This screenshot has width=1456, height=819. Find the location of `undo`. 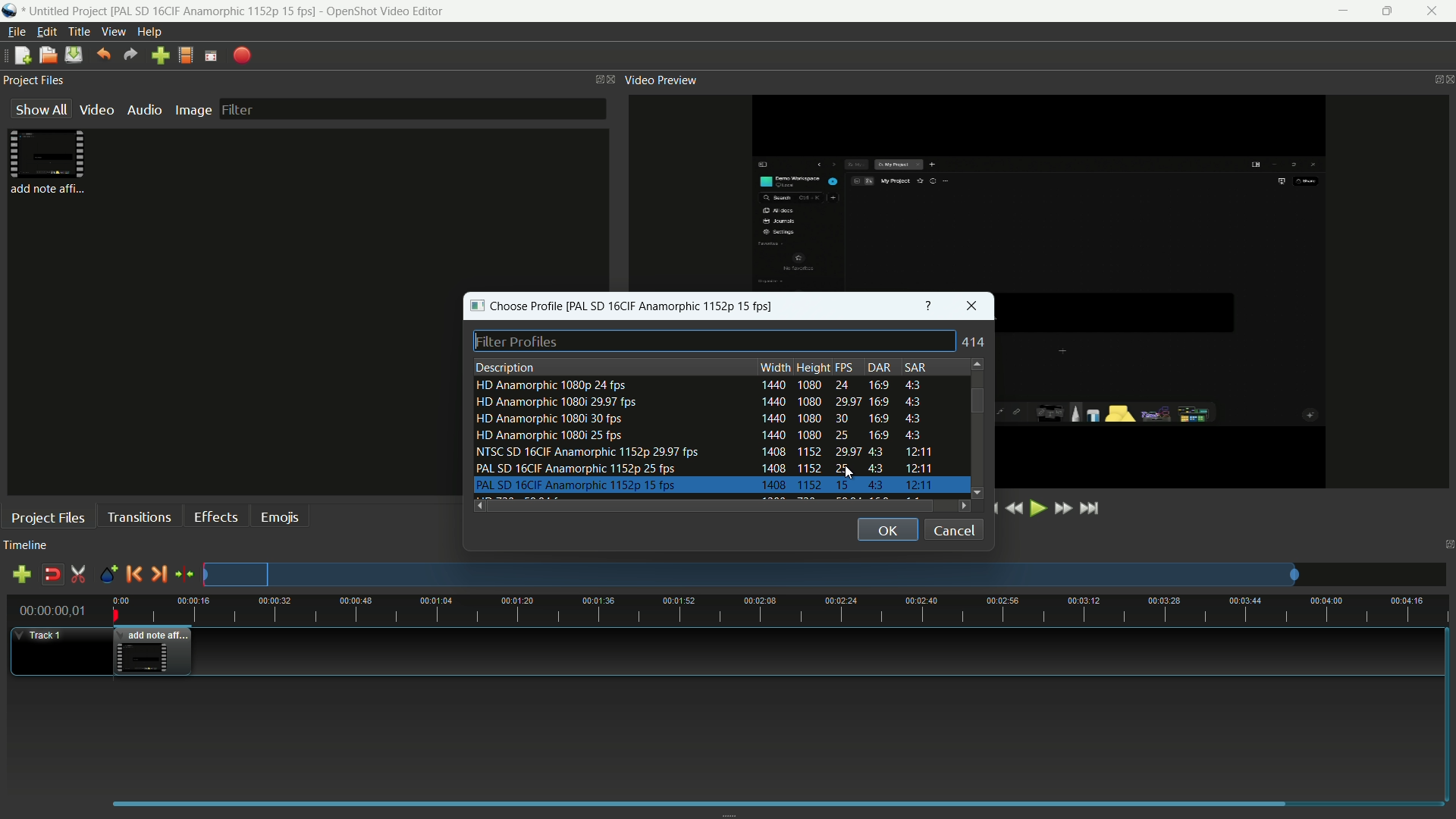

undo is located at coordinates (101, 55).